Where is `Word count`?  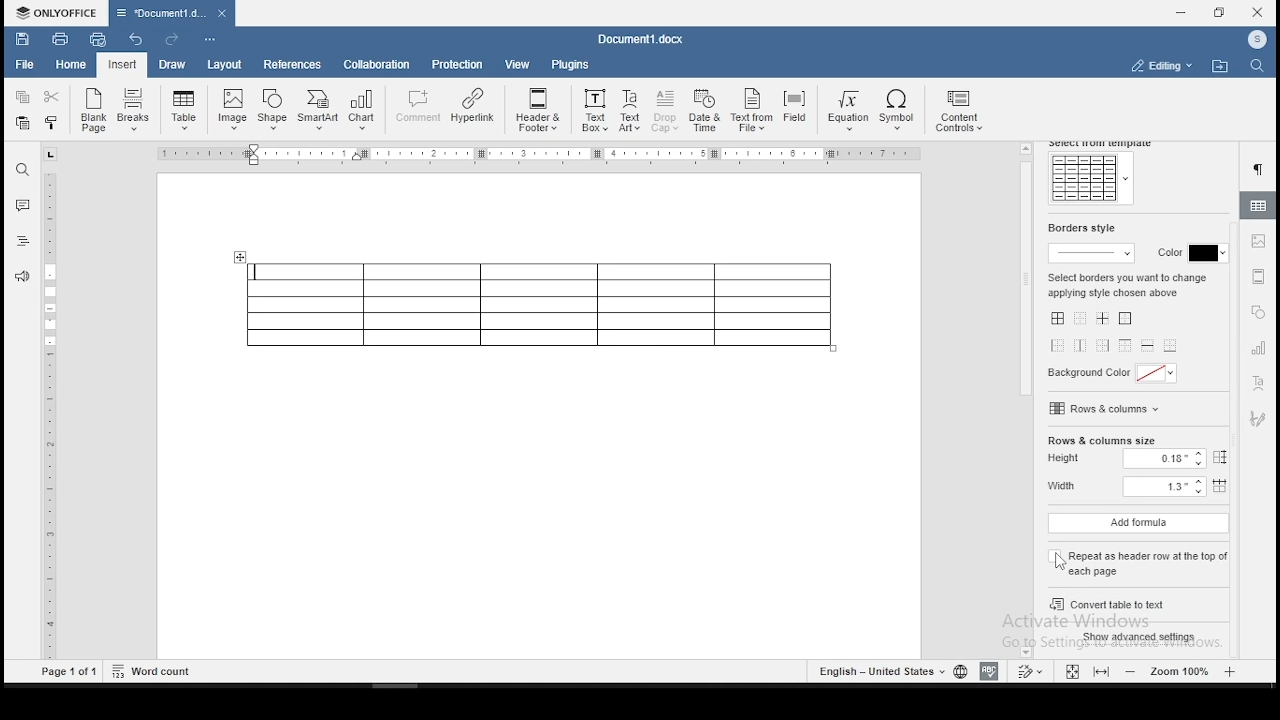 Word count is located at coordinates (152, 671).